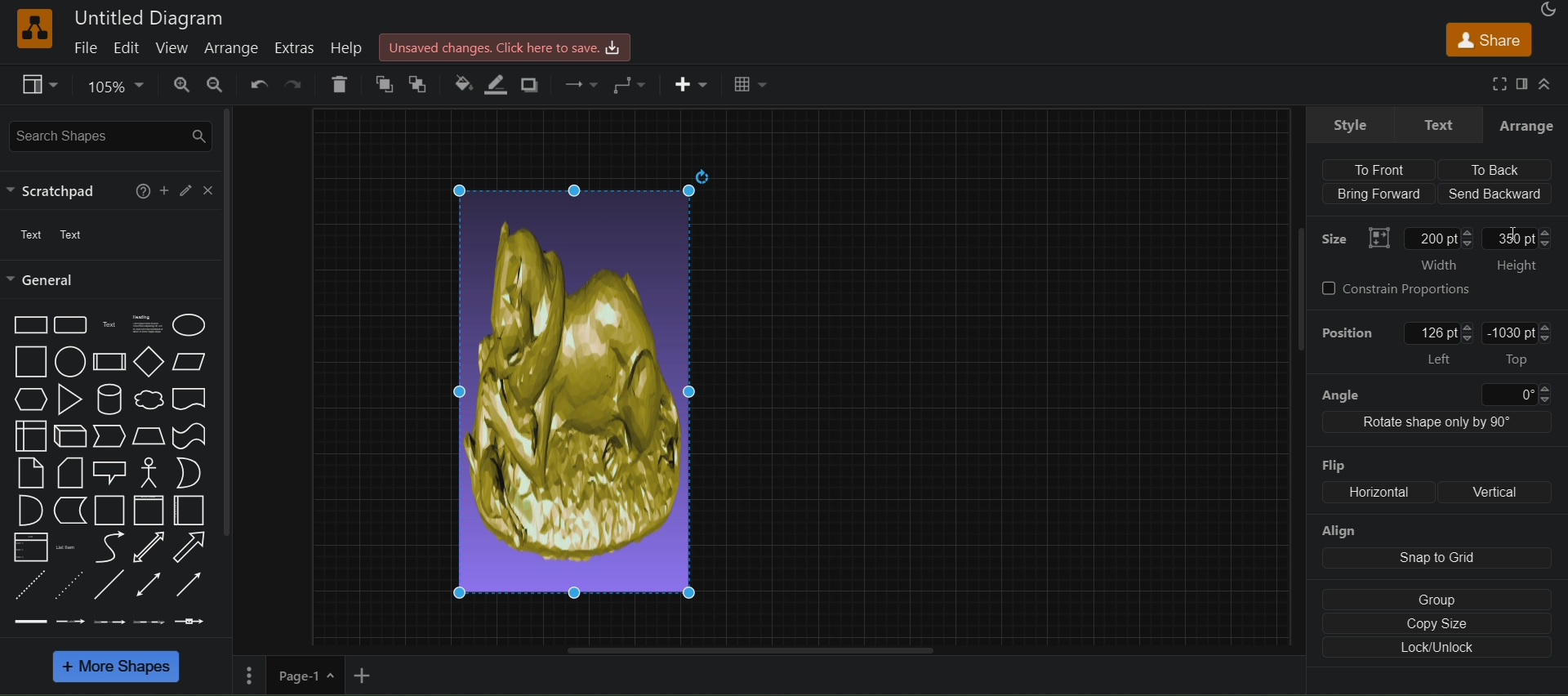  What do you see at coordinates (1527, 125) in the screenshot?
I see `Arrange` at bounding box center [1527, 125].